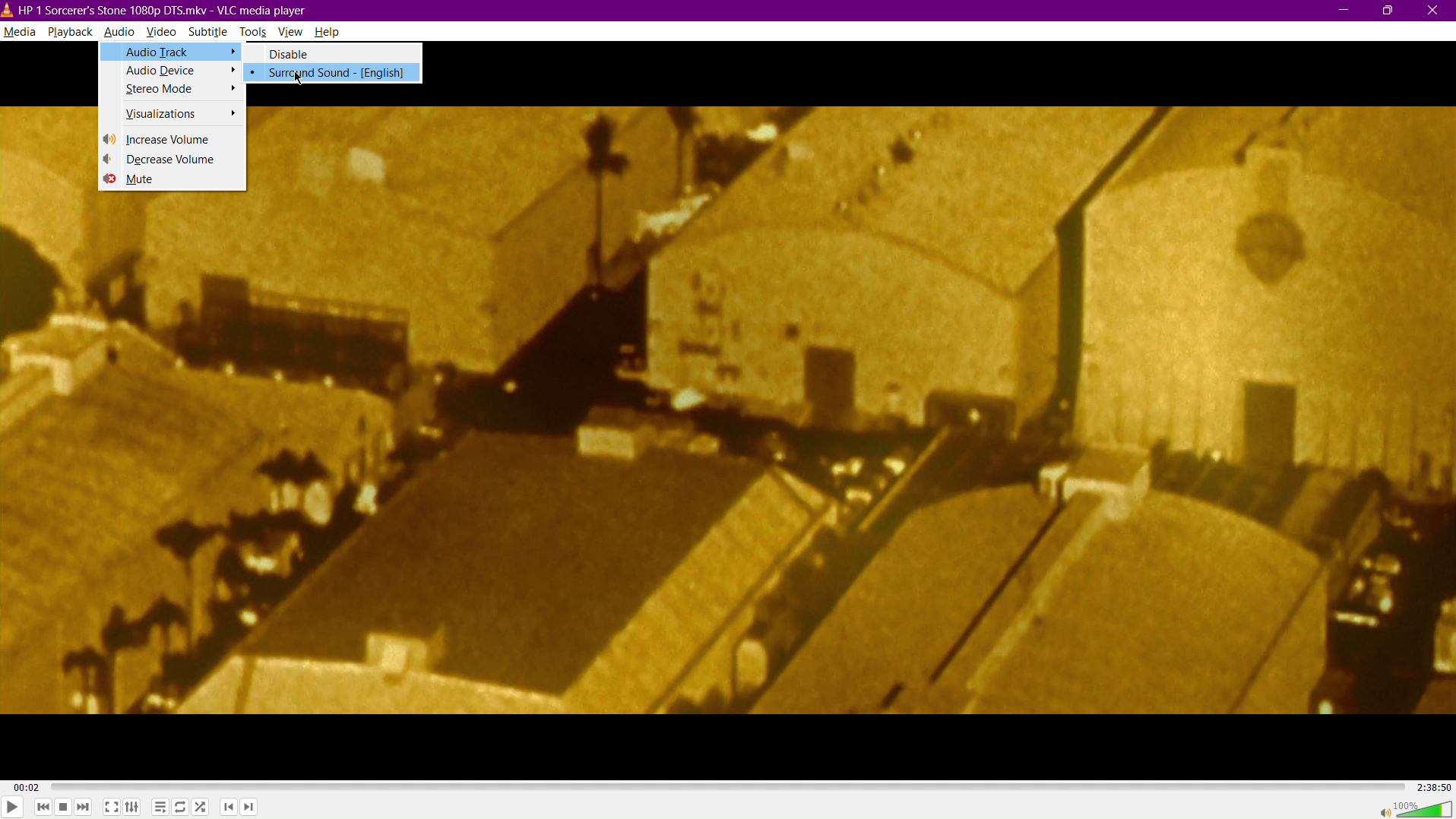 This screenshot has width=1456, height=819. I want to click on Stereo Mode, so click(172, 92).